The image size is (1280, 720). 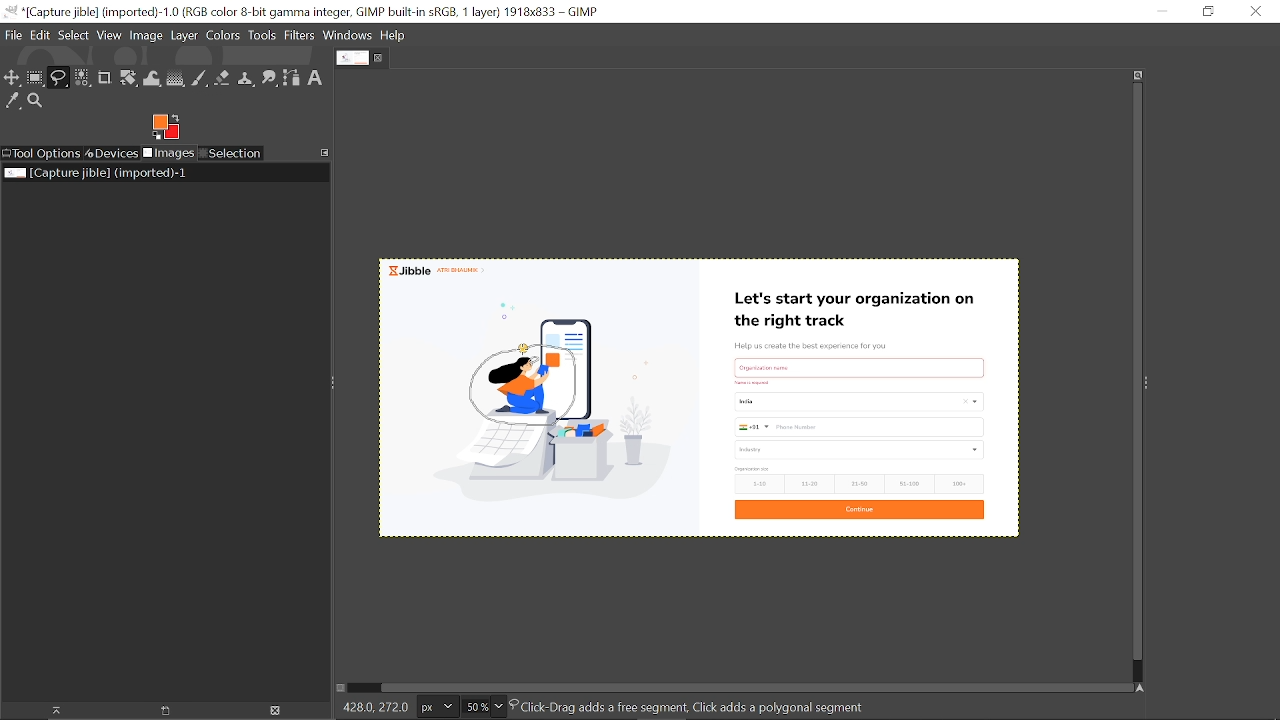 What do you see at coordinates (352, 58) in the screenshot?
I see `Current tab` at bounding box center [352, 58].